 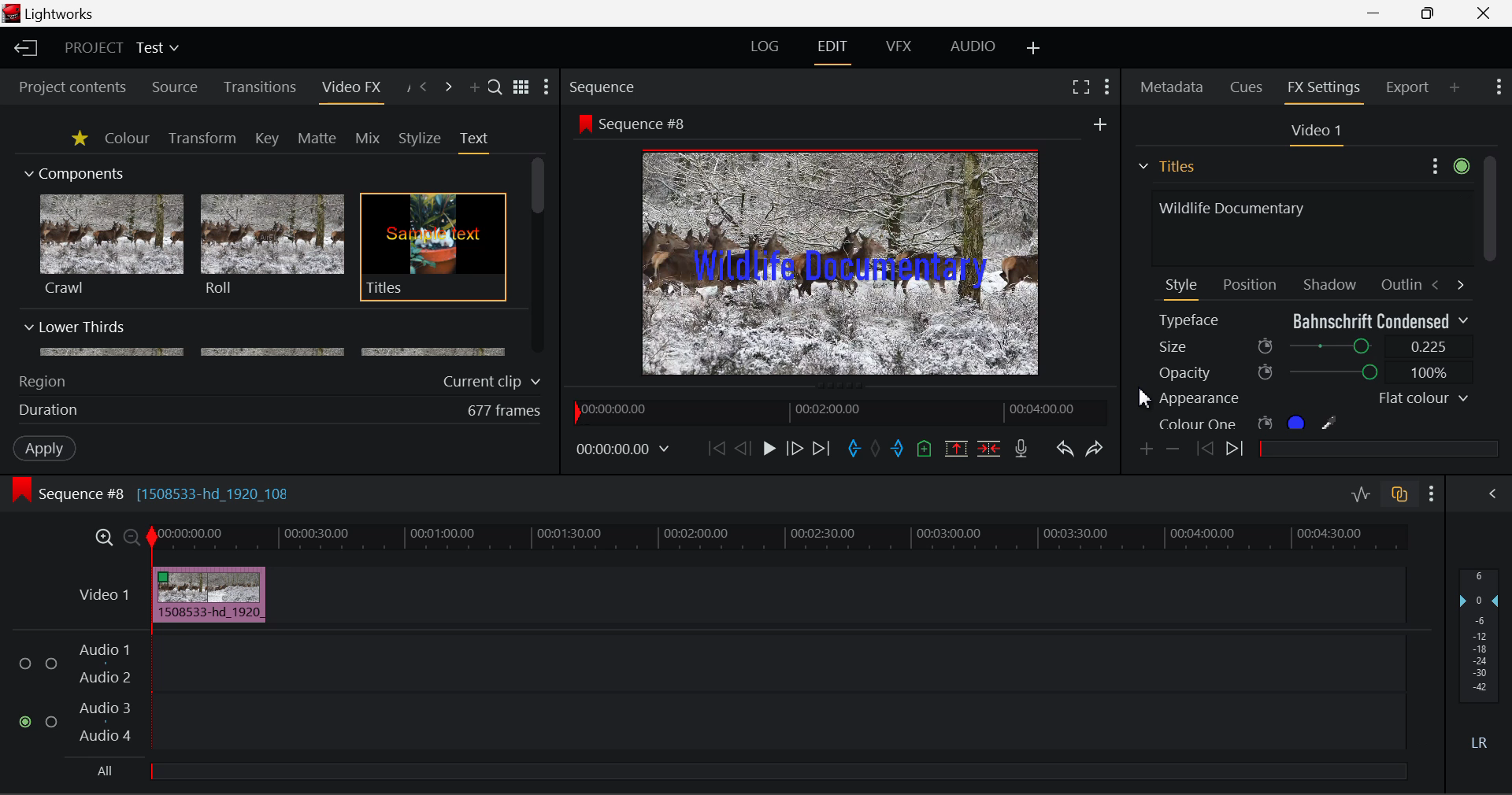 What do you see at coordinates (1403, 494) in the screenshot?
I see `Toggle auto track sync` at bounding box center [1403, 494].